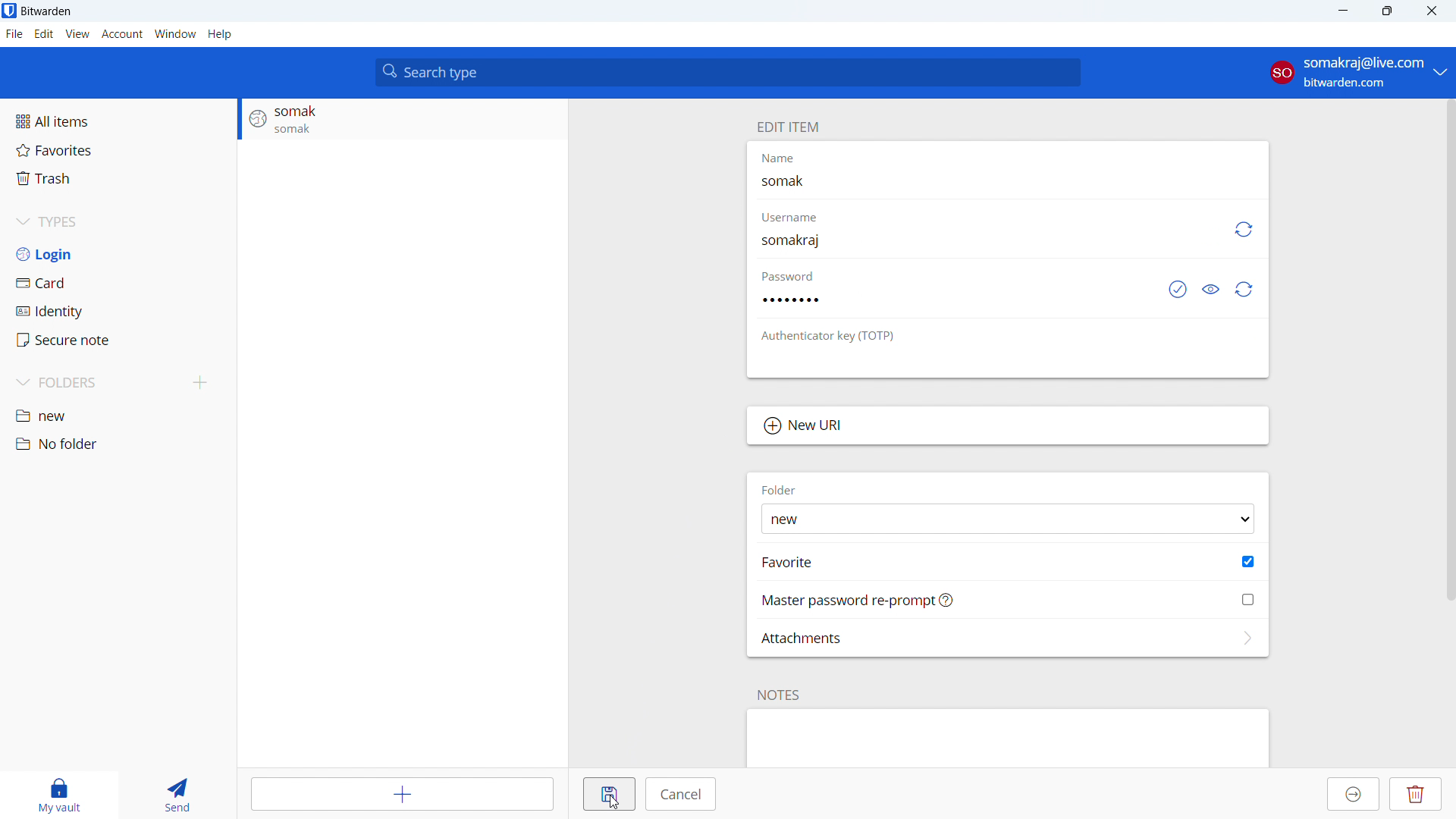 This screenshot has height=819, width=1456. What do you see at coordinates (1007, 739) in the screenshot?
I see `add note` at bounding box center [1007, 739].